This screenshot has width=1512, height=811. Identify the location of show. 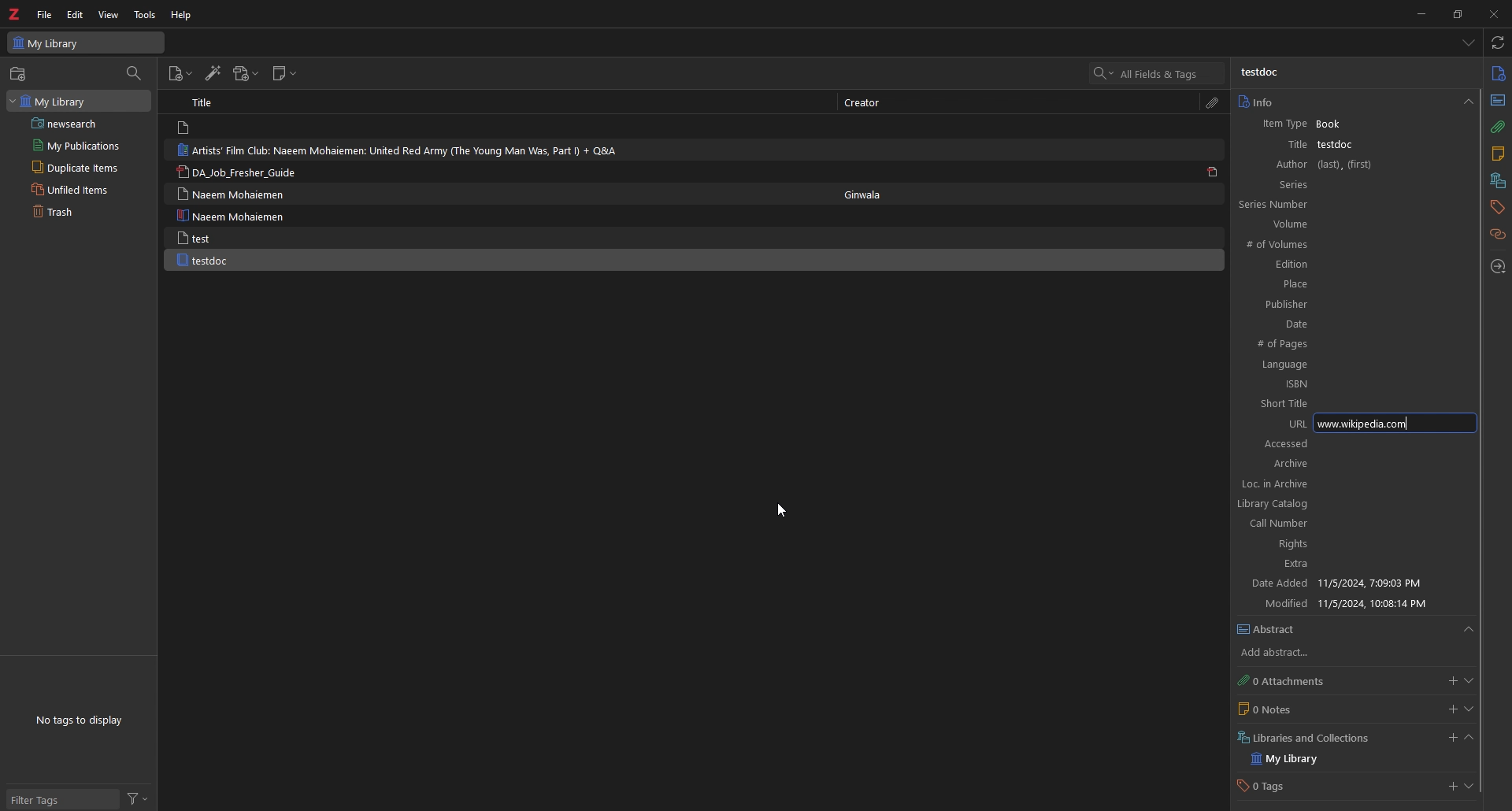
(1469, 709).